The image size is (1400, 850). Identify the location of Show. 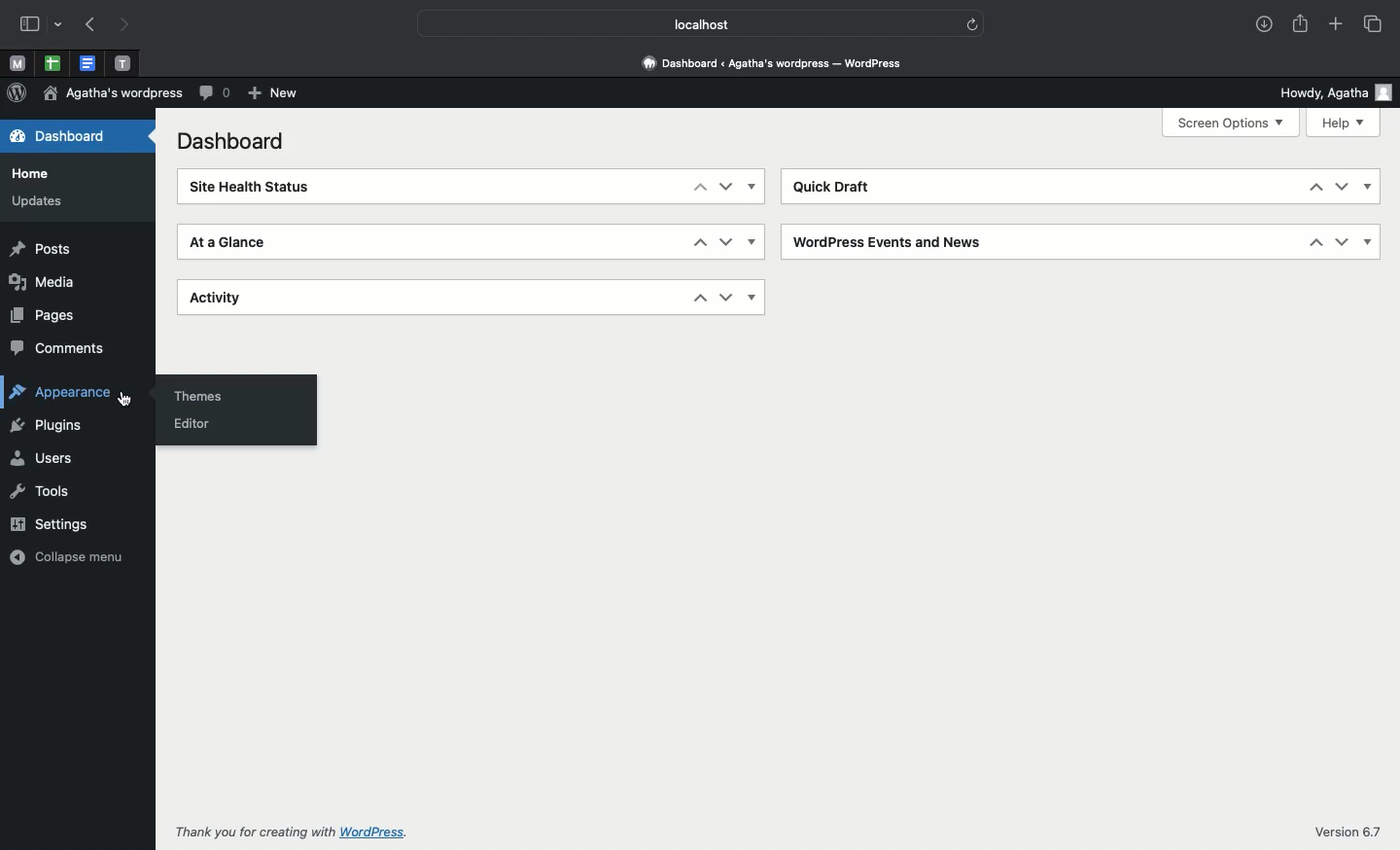
(1368, 185).